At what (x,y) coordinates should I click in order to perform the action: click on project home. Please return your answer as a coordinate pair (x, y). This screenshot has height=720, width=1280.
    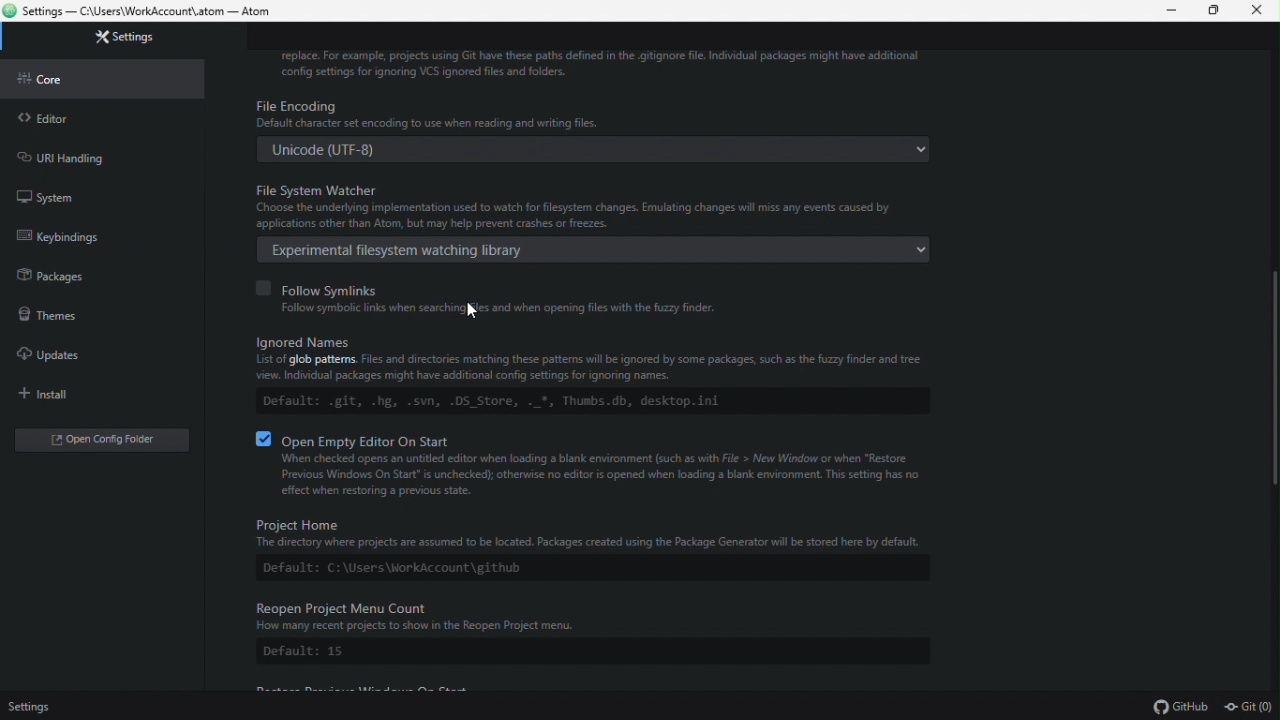
    Looking at the image, I should click on (589, 548).